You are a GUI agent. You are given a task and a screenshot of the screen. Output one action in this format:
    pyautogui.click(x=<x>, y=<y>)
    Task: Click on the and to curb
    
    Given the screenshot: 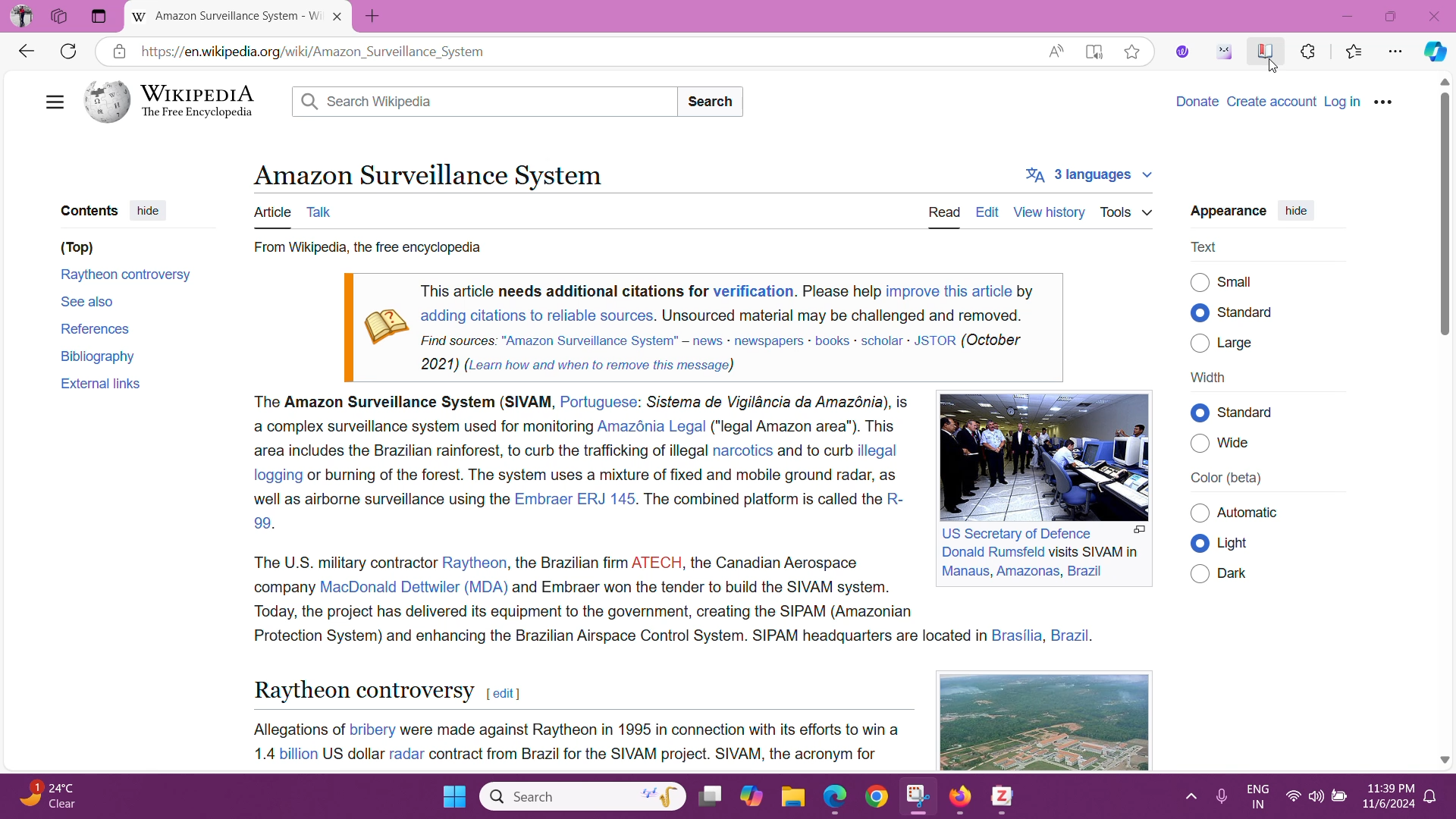 What is the action you would take?
    pyautogui.click(x=814, y=451)
    